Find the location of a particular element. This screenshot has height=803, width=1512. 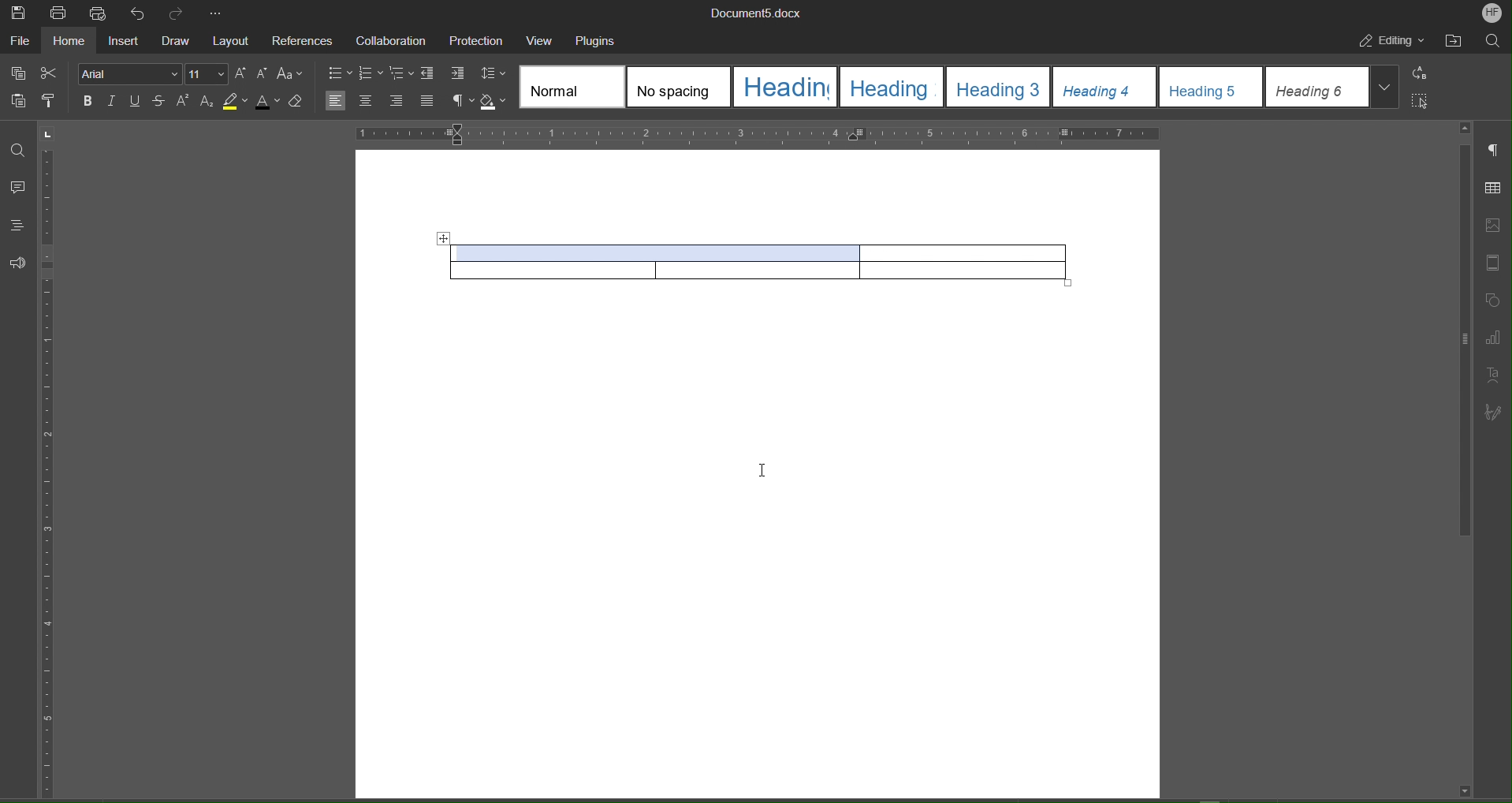

Signature is located at coordinates (1496, 409).